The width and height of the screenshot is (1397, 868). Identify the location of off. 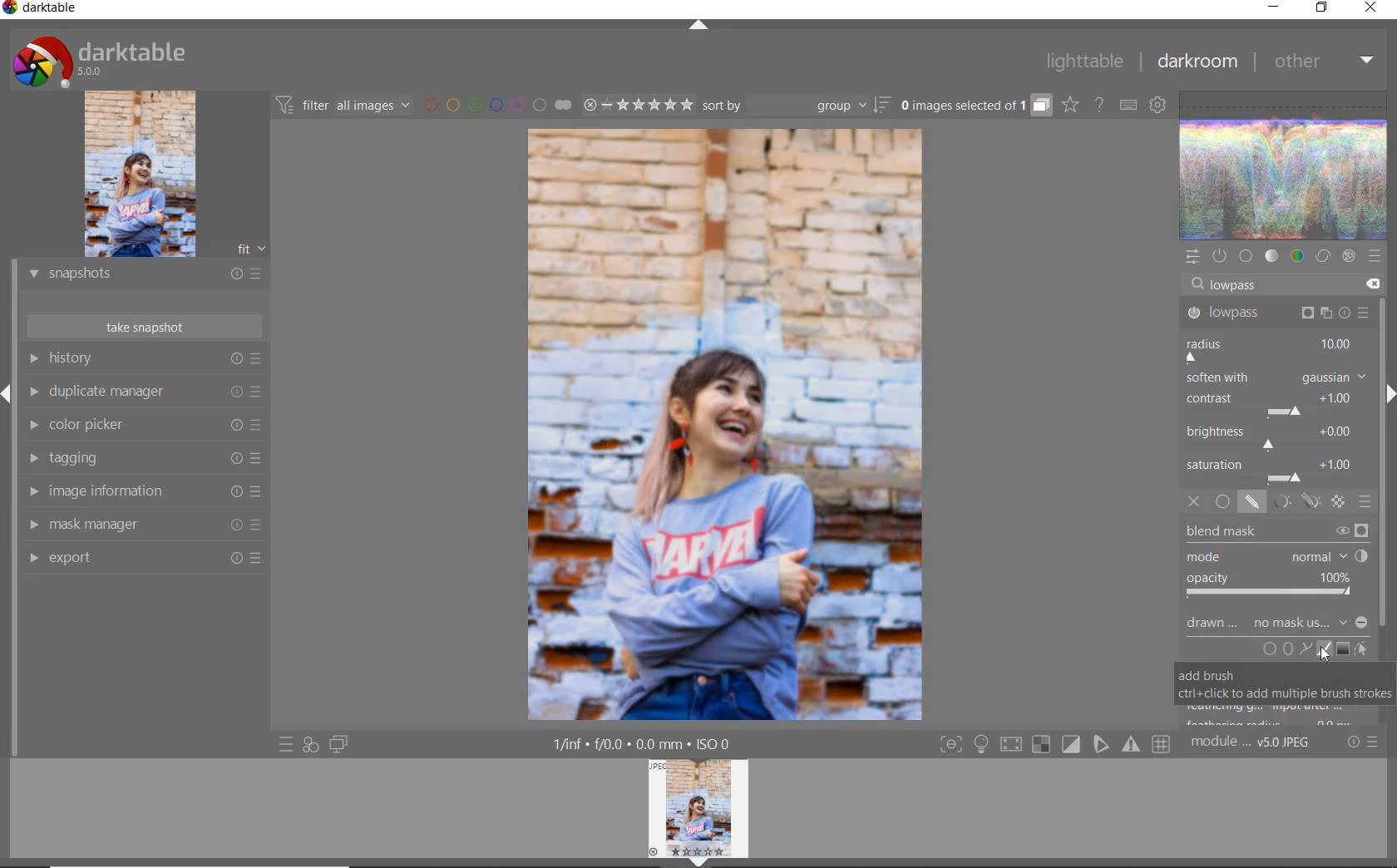
(1197, 503).